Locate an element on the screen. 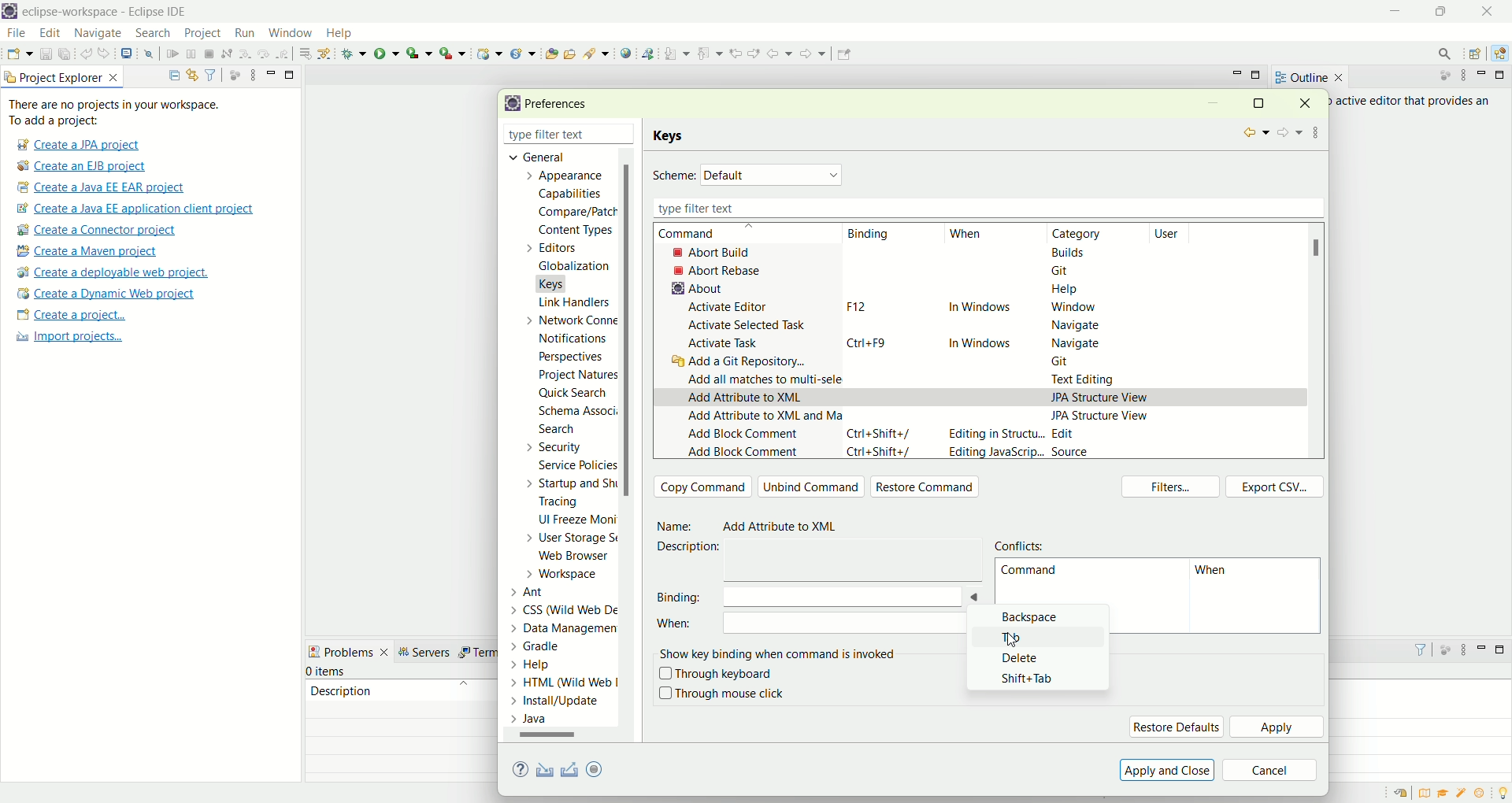 This screenshot has height=803, width=1512. web browser is located at coordinates (579, 557).